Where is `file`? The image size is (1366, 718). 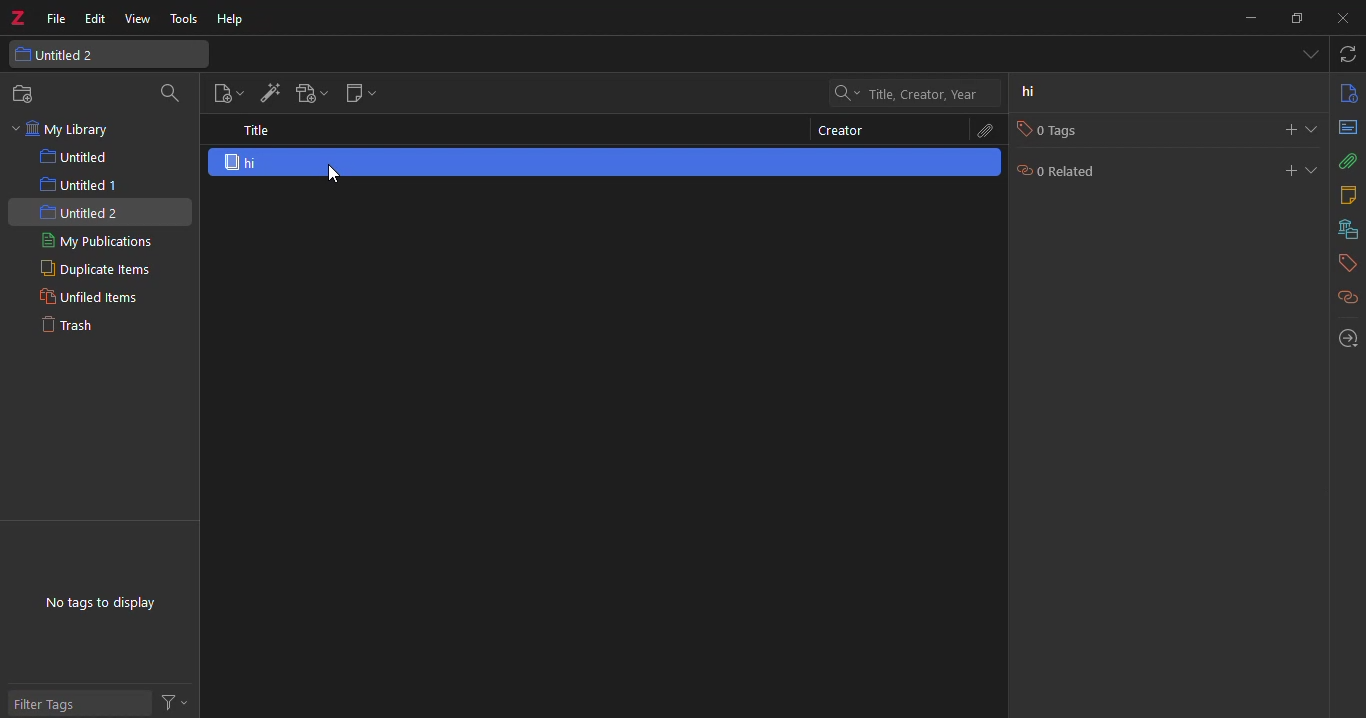
file is located at coordinates (55, 19).